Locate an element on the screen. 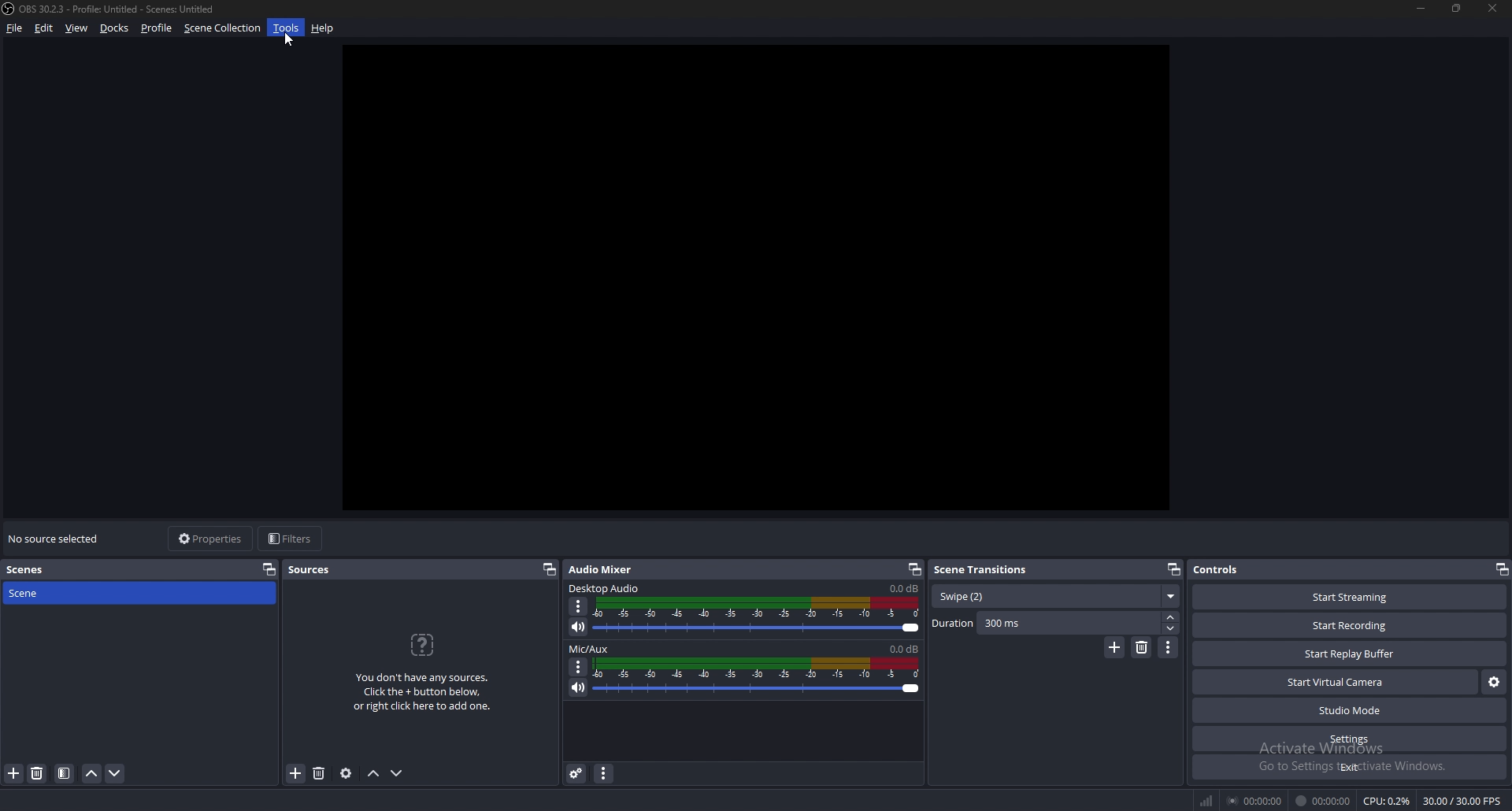  desktop audio is located at coordinates (605, 588).